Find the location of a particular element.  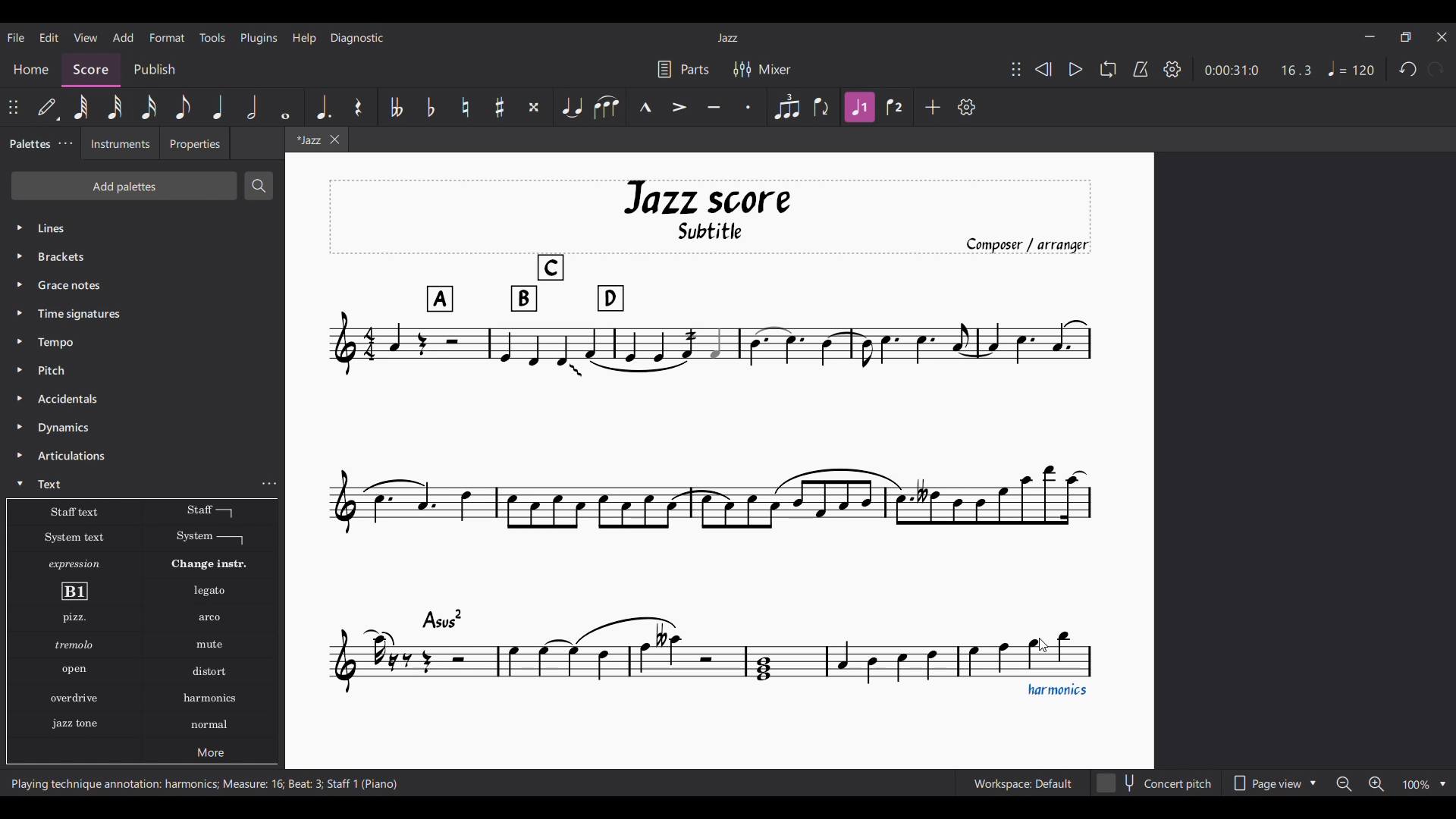

Home section is located at coordinates (30, 66).